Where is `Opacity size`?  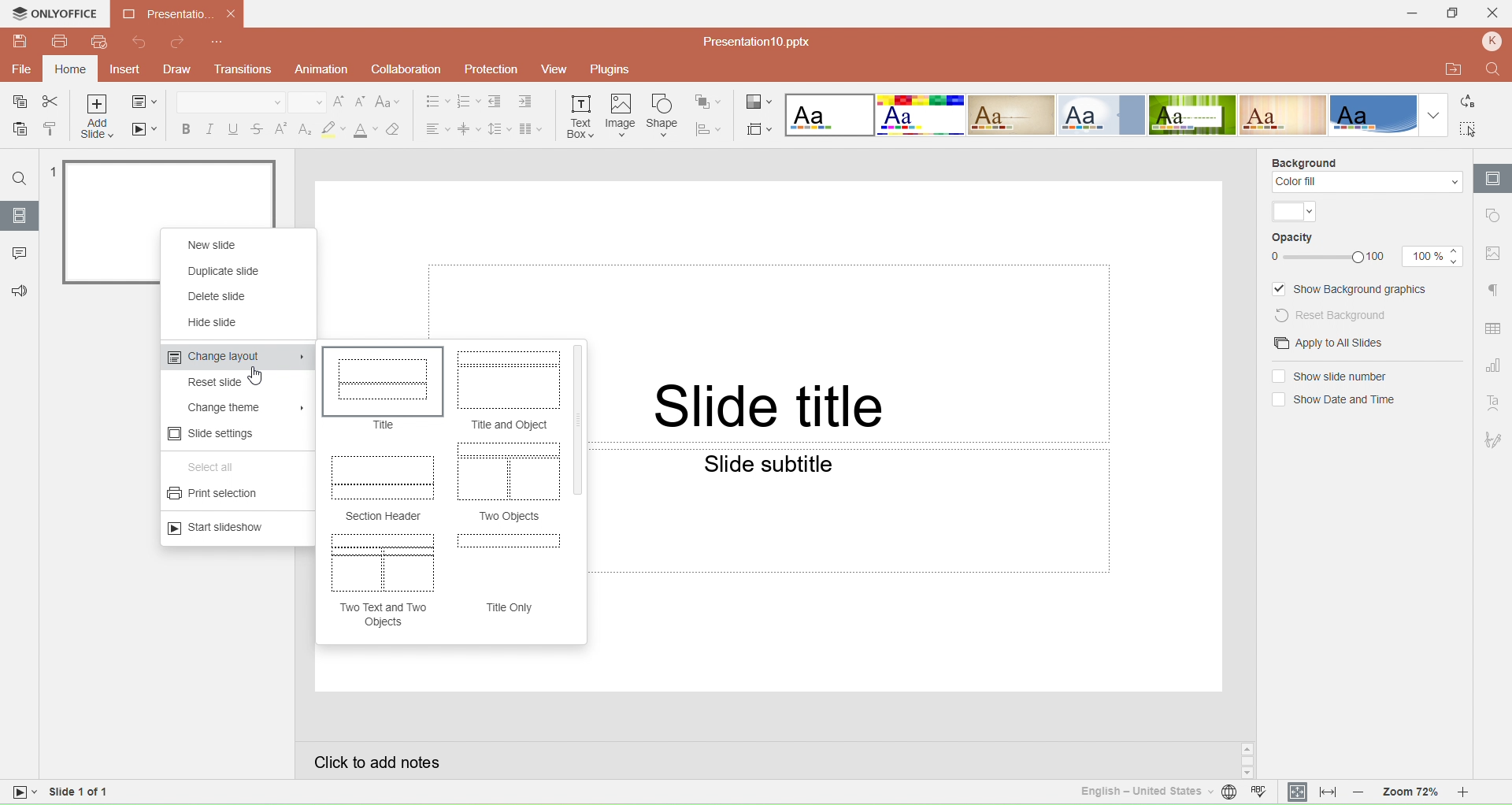 Opacity size is located at coordinates (1432, 256).